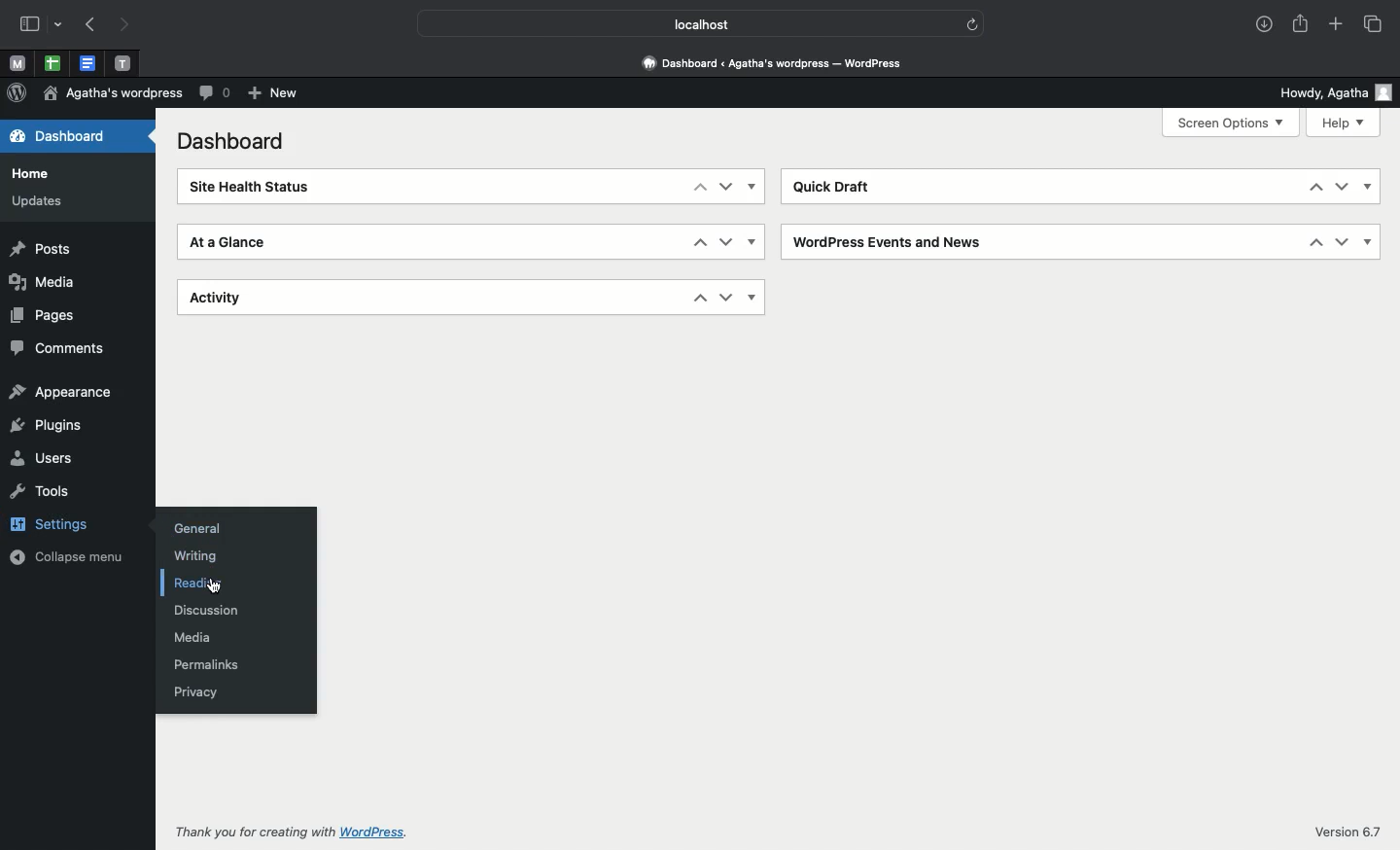 The image size is (1400, 850). I want to click on Show, so click(755, 297).